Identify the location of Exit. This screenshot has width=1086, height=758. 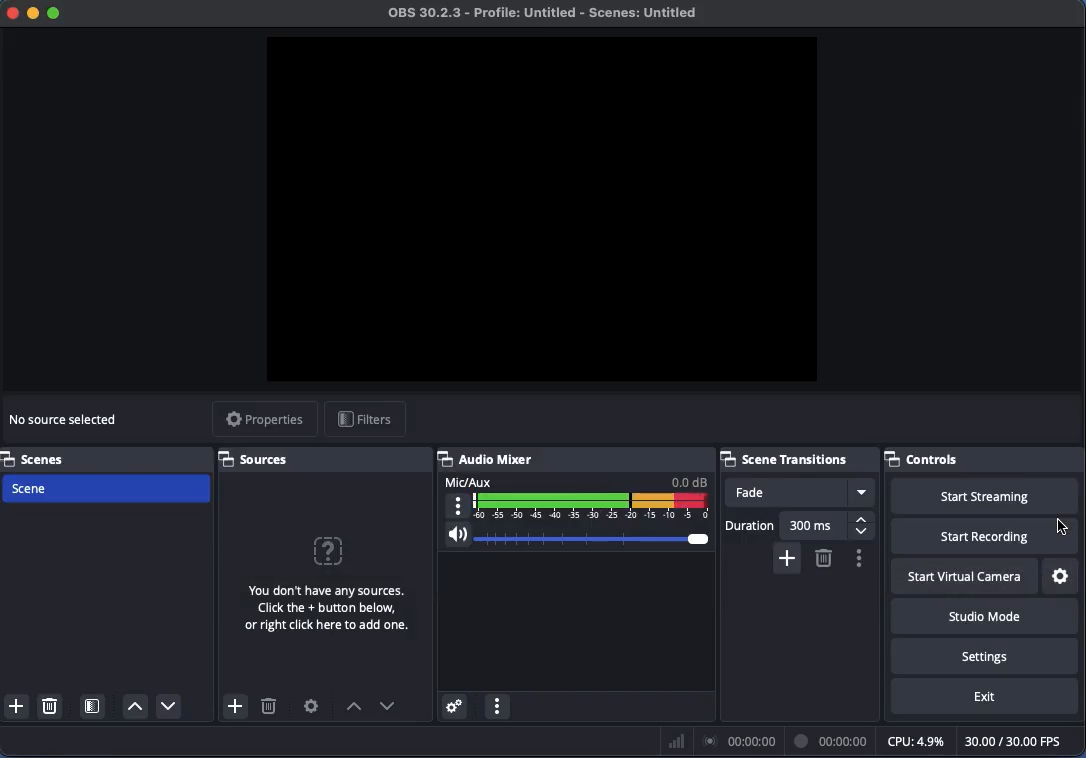
(985, 697).